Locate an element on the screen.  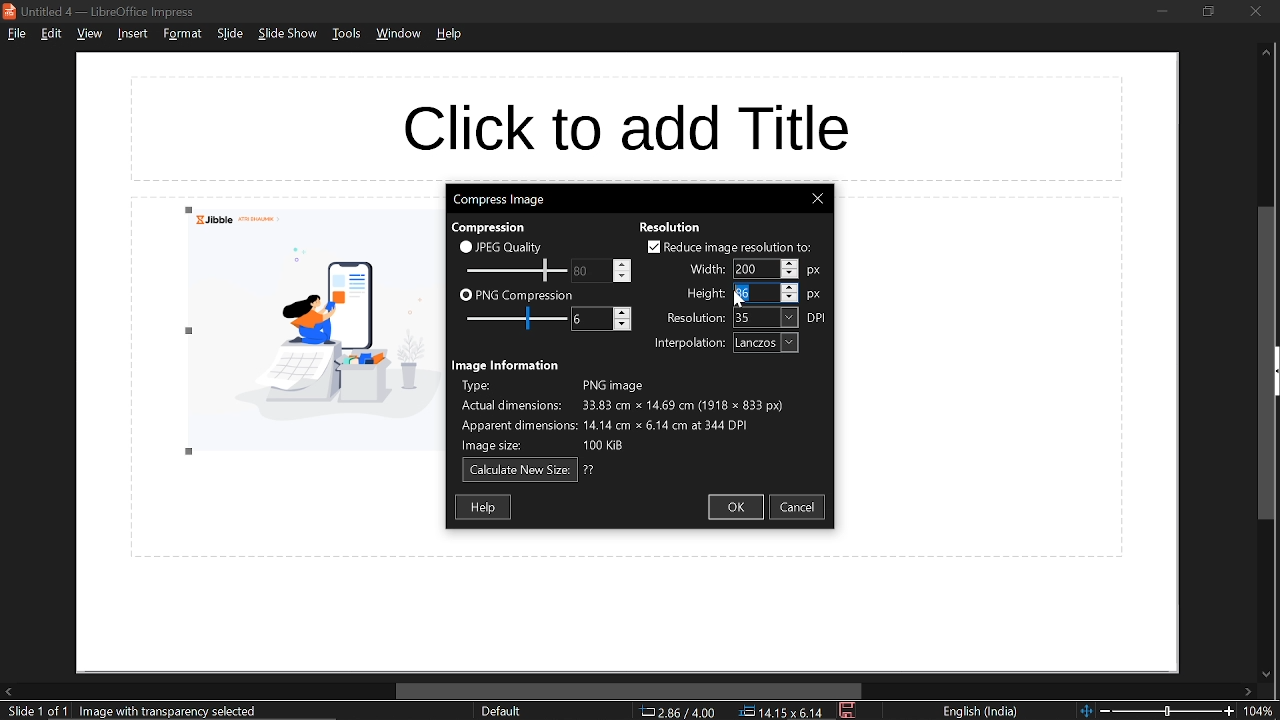
resolution is located at coordinates (671, 227).